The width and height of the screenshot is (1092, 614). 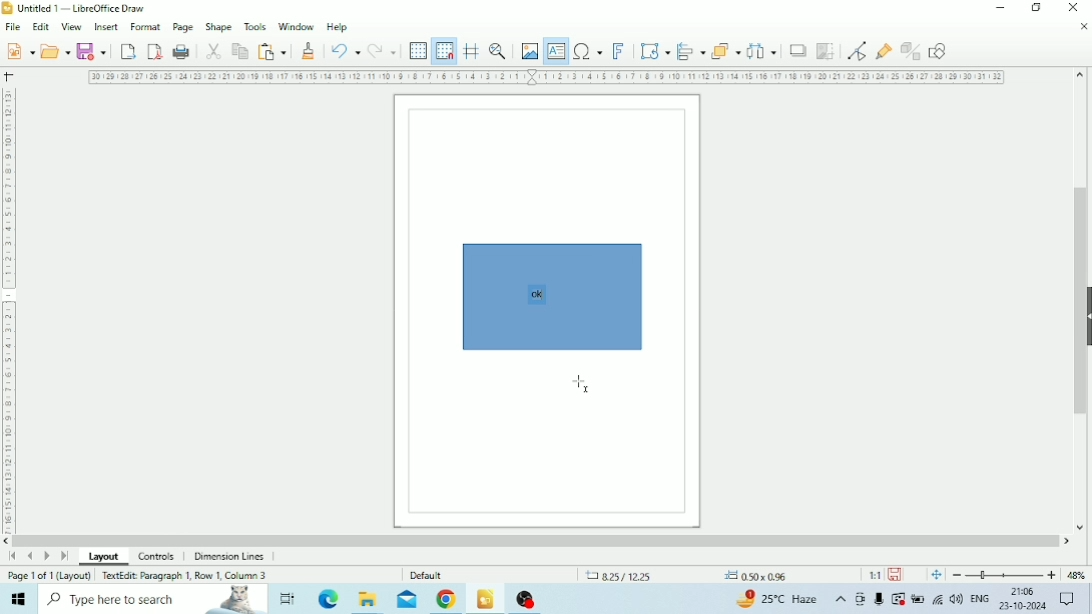 I want to click on Vertical scale, so click(x=8, y=307).